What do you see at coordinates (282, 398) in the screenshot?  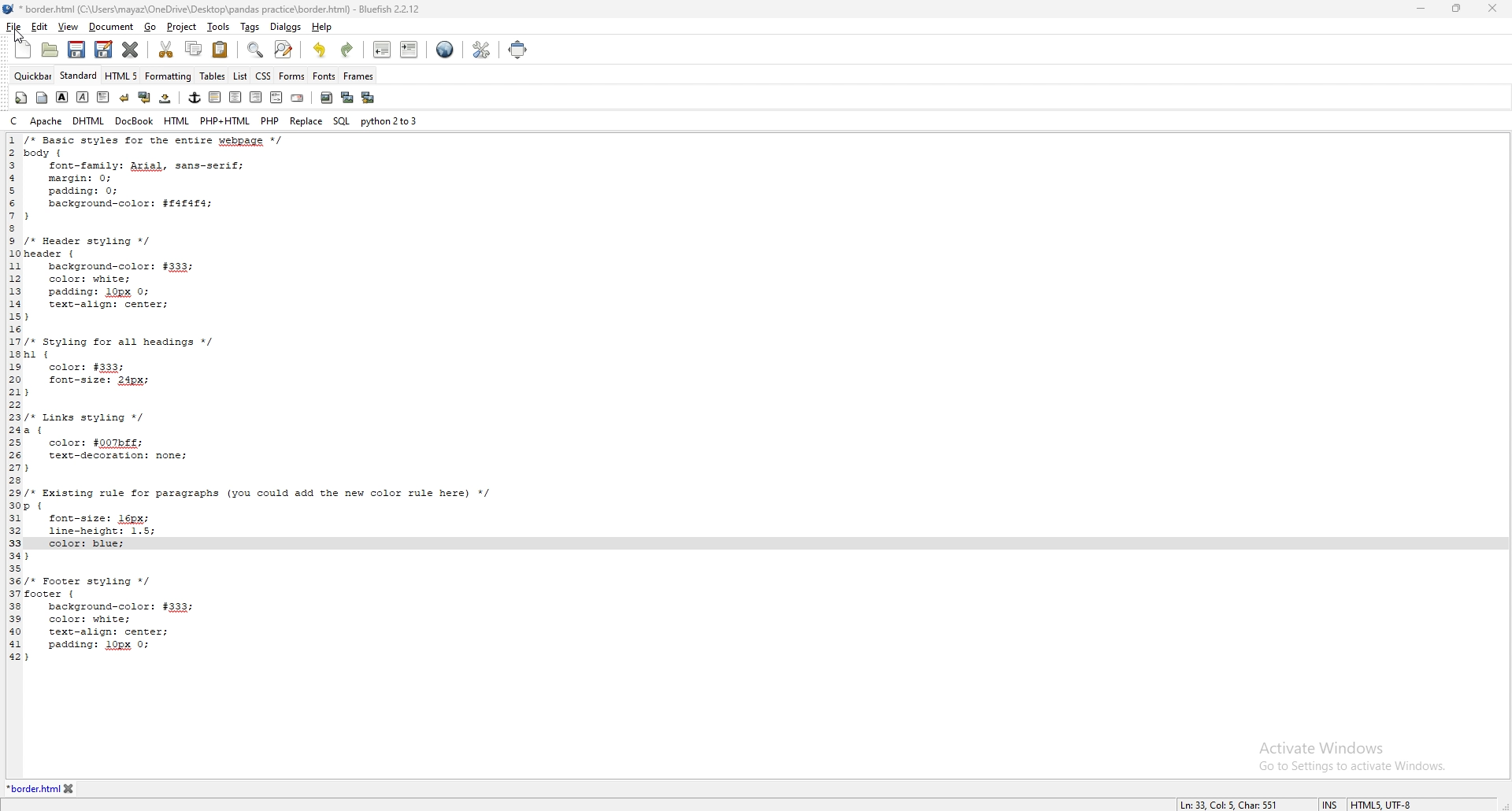 I see `code` at bounding box center [282, 398].